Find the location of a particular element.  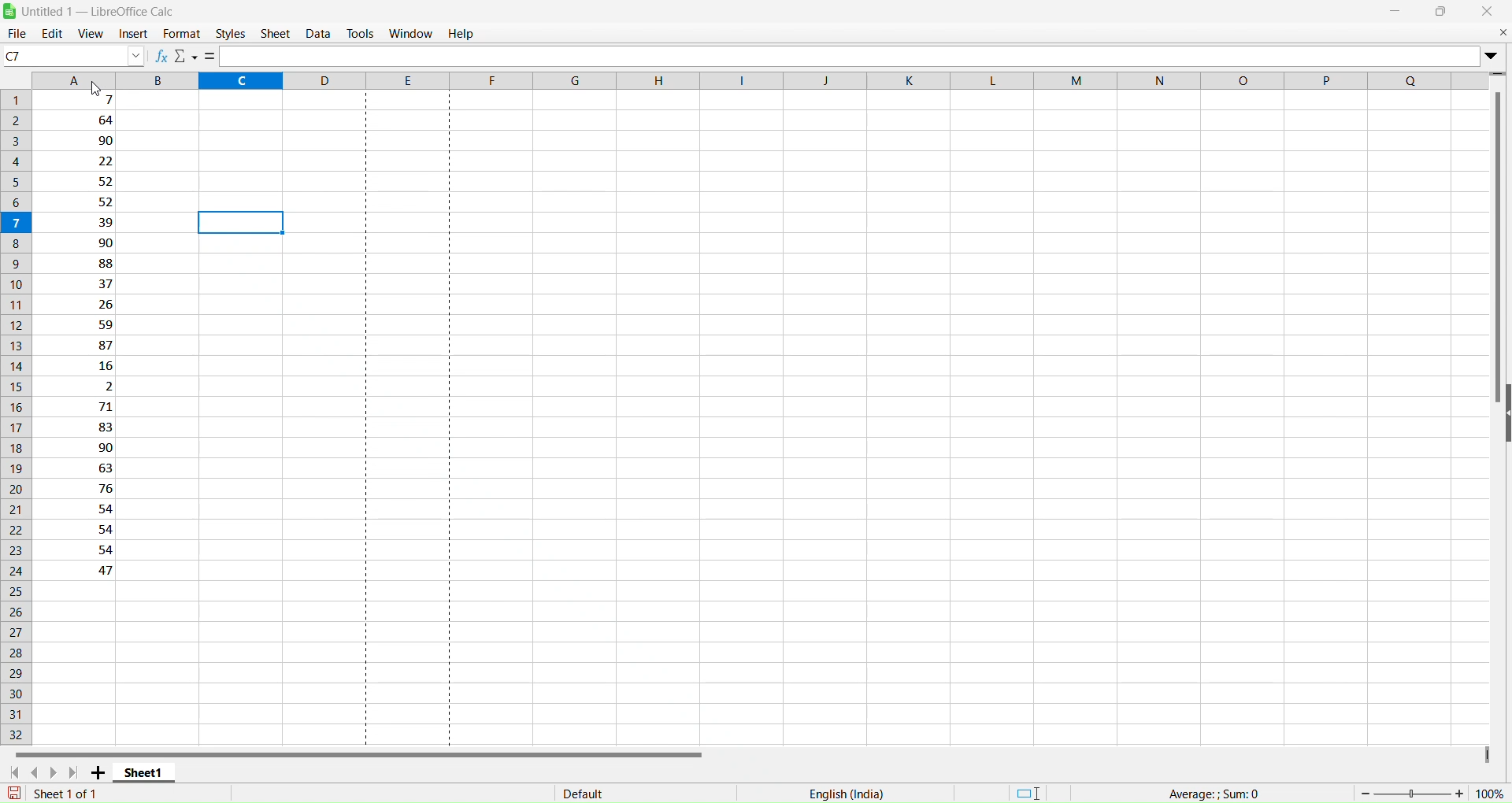

Horizontal Scroll Bar is located at coordinates (361, 750).